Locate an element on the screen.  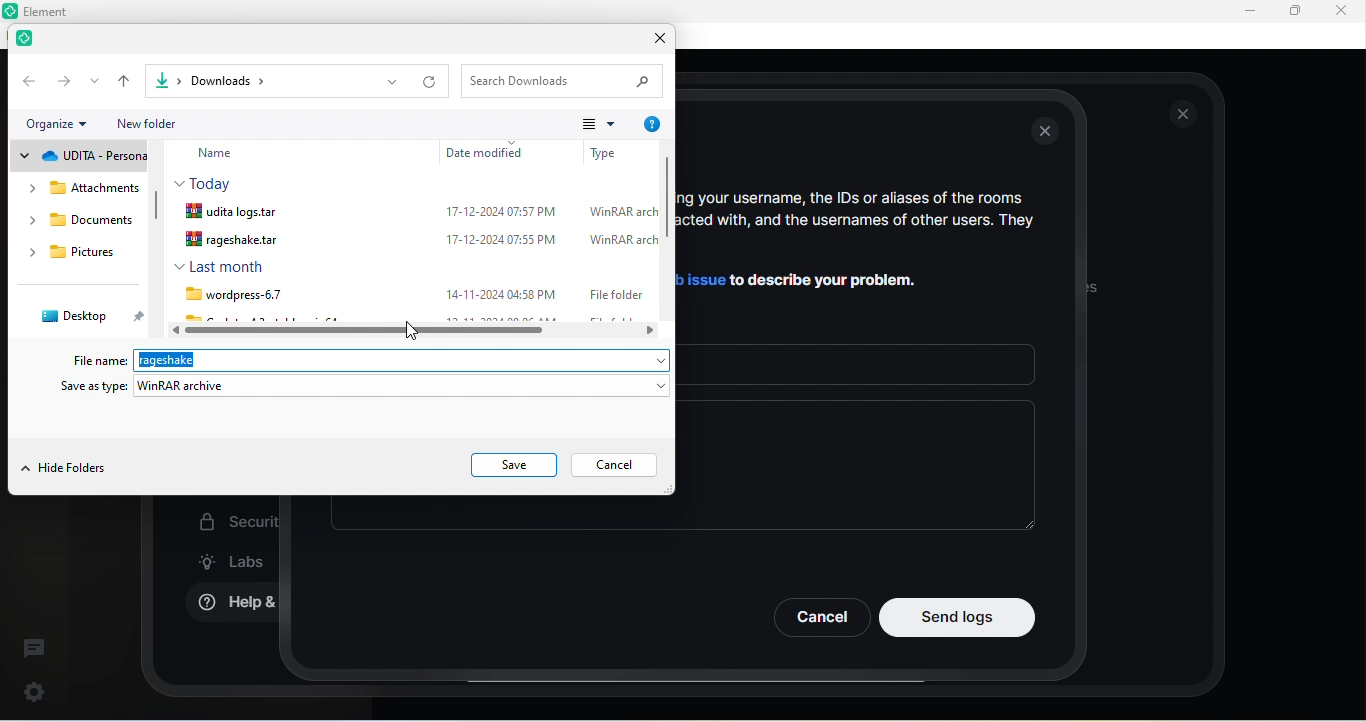
close is located at coordinates (1048, 133).